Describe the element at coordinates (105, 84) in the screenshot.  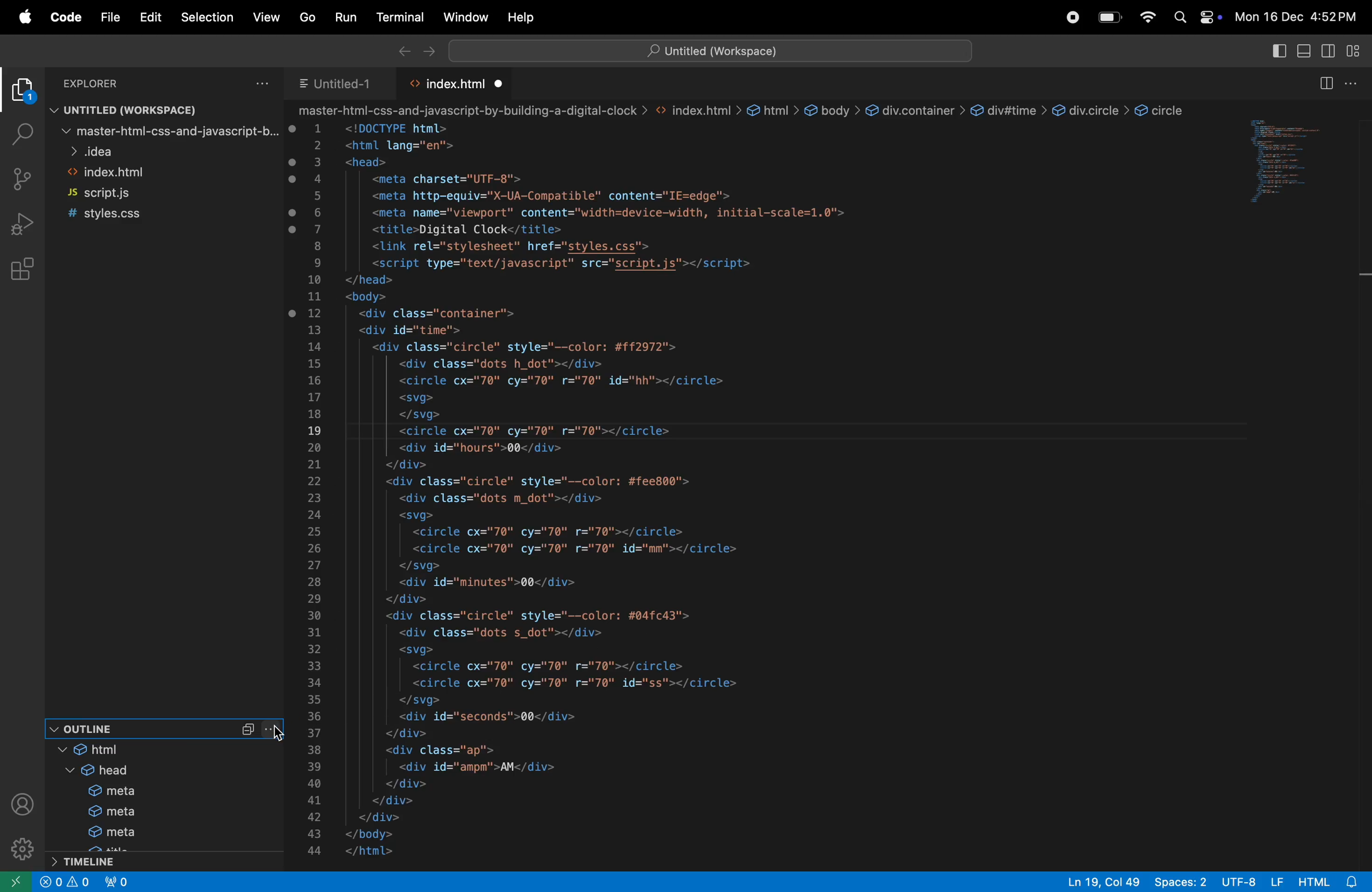
I see `Explore` at that location.